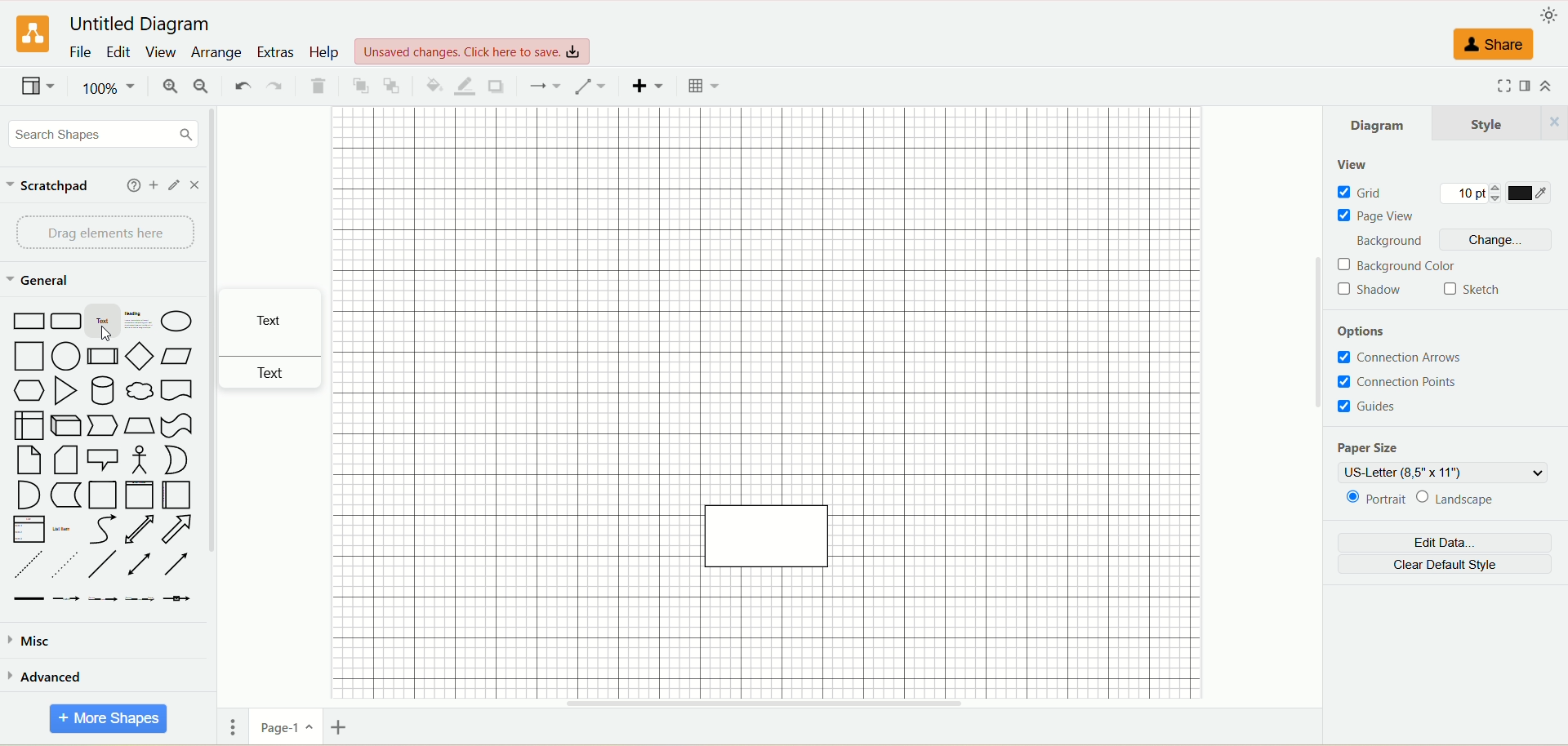 The width and height of the screenshot is (1568, 746). I want to click on general, so click(38, 280).